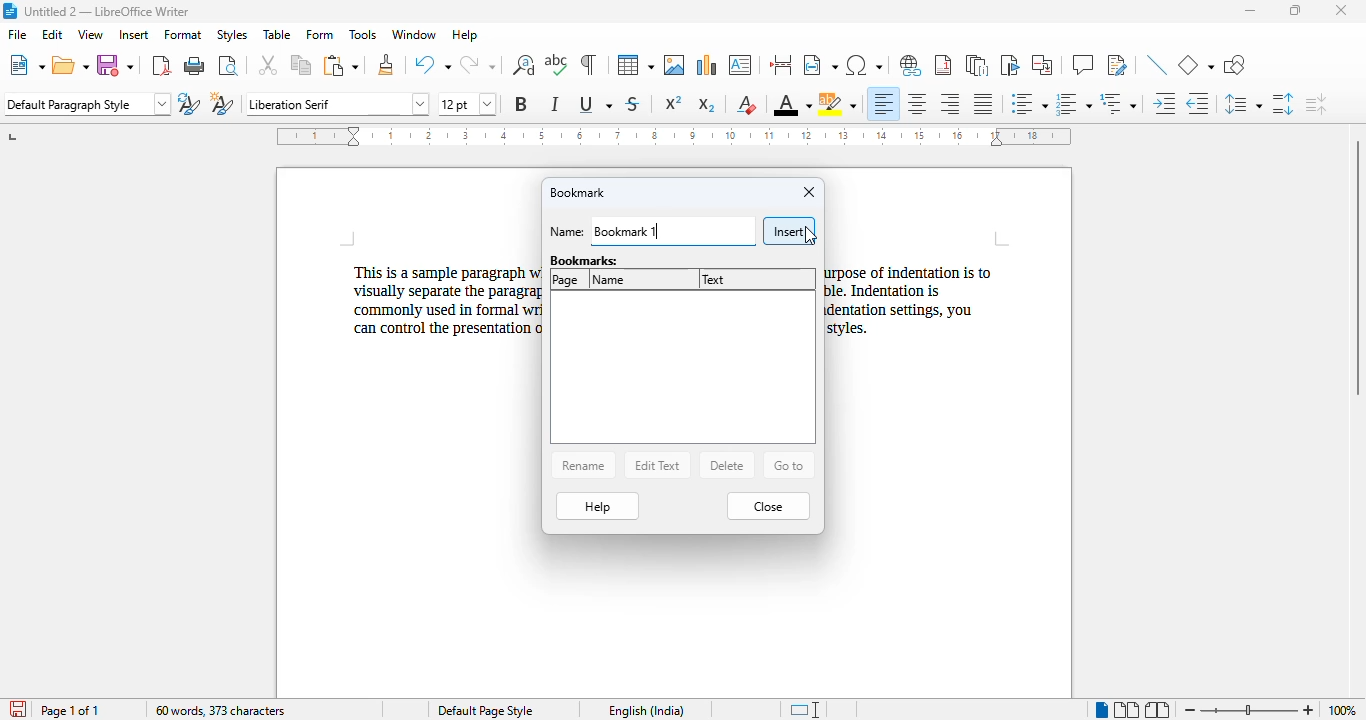  What do you see at coordinates (162, 65) in the screenshot?
I see `export directly as PDF` at bounding box center [162, 65].